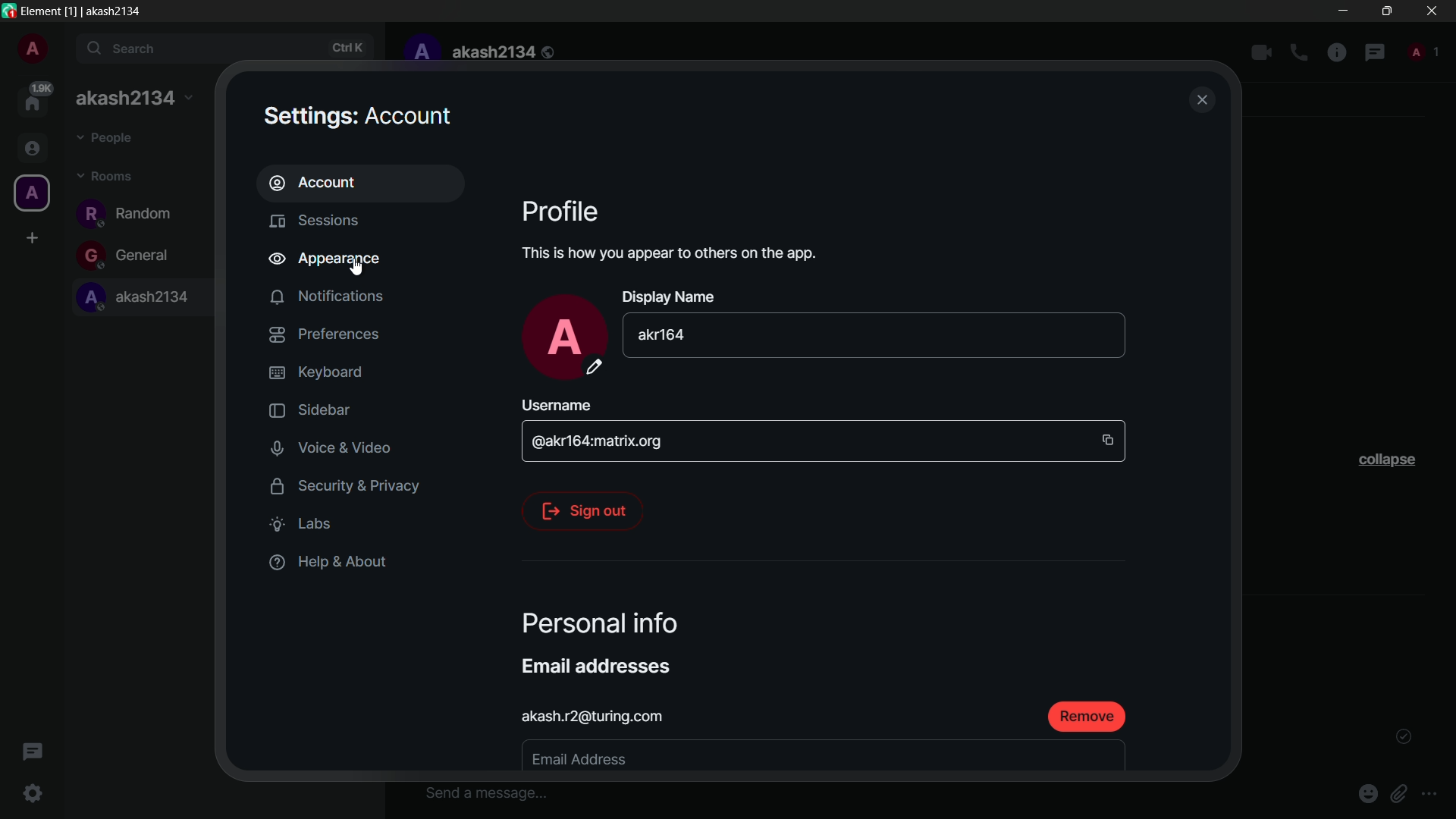  I want to click on general channel, so click(129, 256).